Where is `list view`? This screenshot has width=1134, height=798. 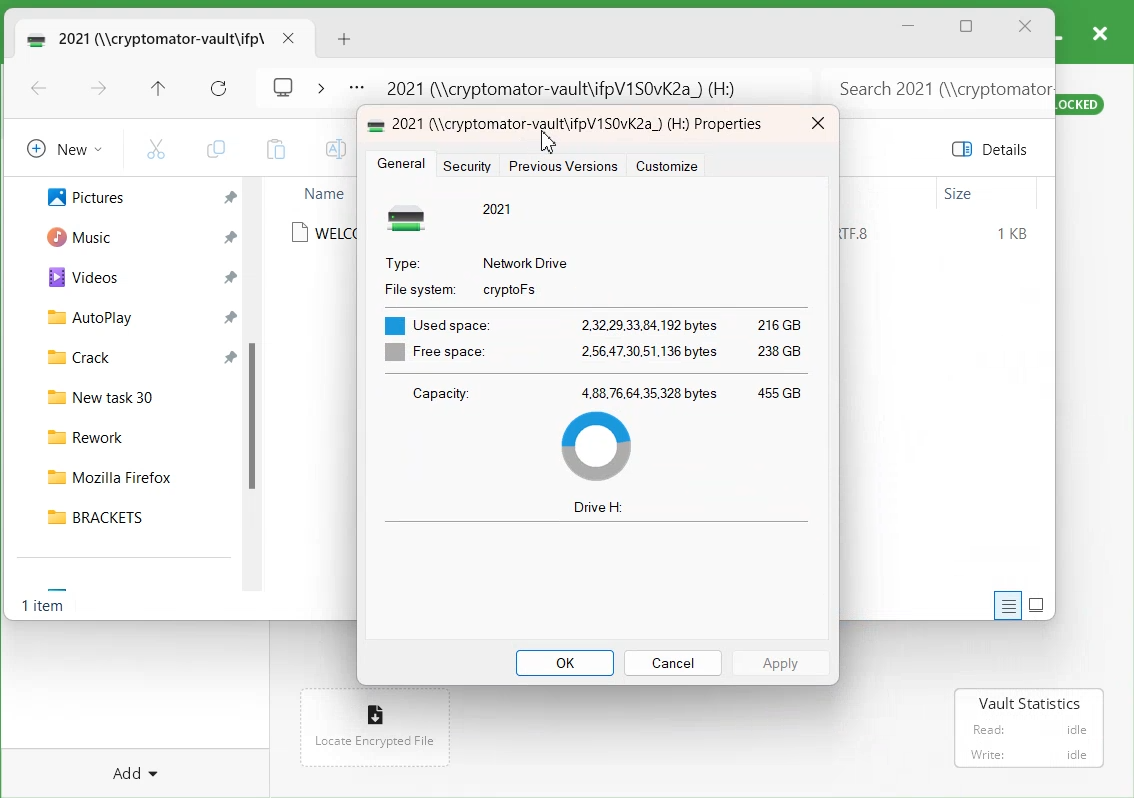 list view is located at coordinates (1004, 606).